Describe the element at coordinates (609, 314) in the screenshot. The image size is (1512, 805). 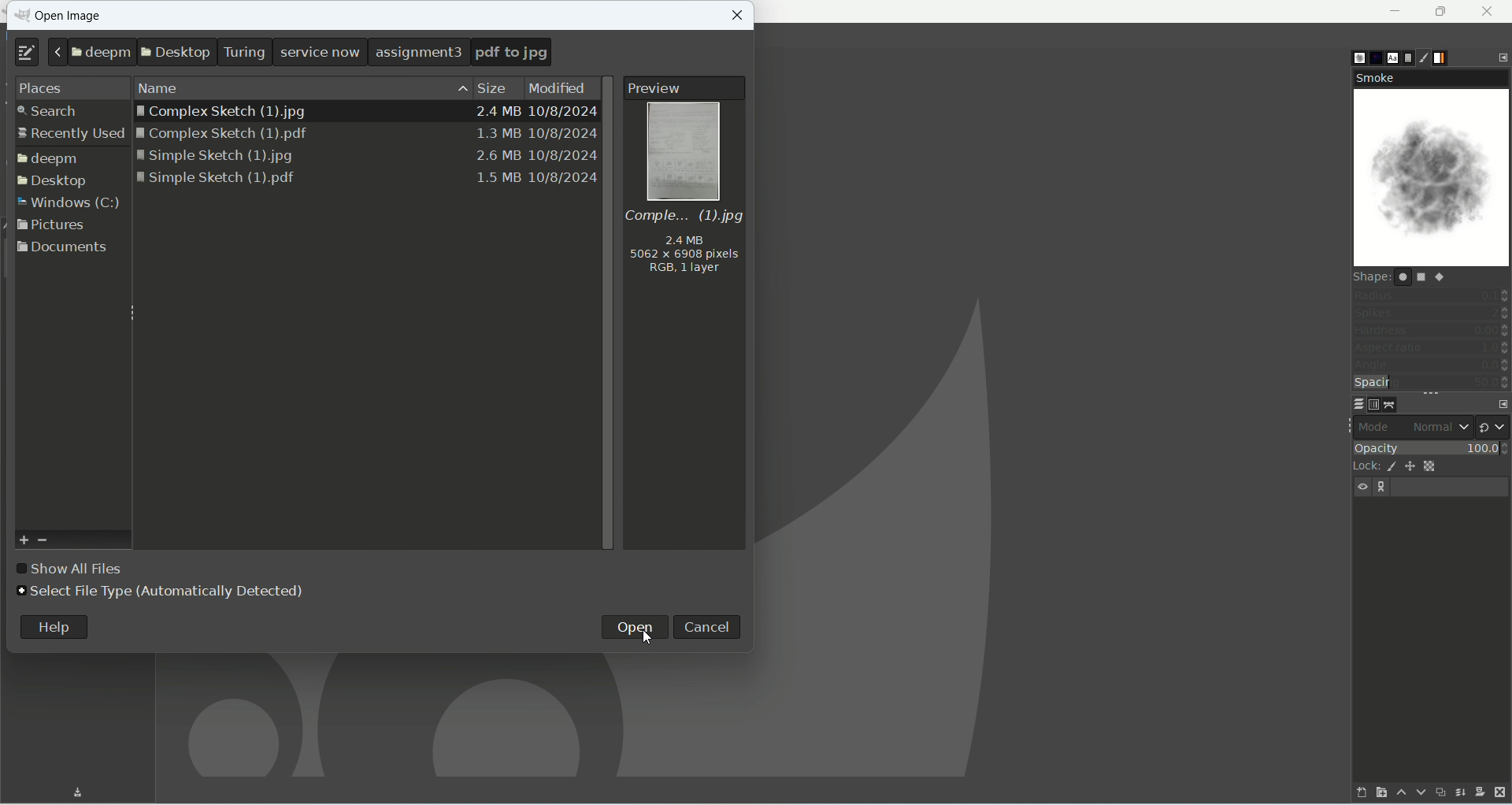
I see `vertical scroll bar` at that location.